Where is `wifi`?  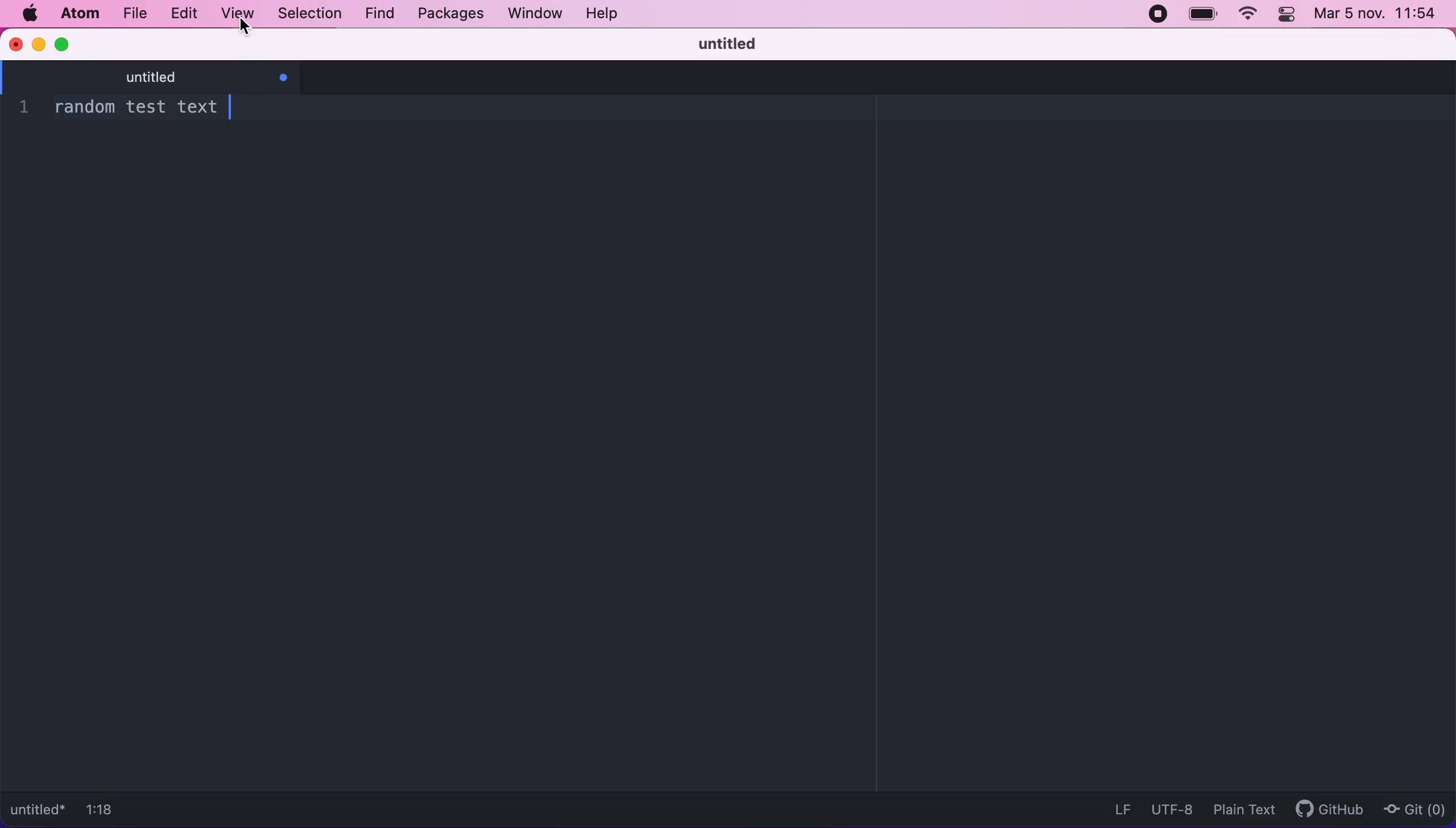 wifi is located at coordinates (1246, 16).